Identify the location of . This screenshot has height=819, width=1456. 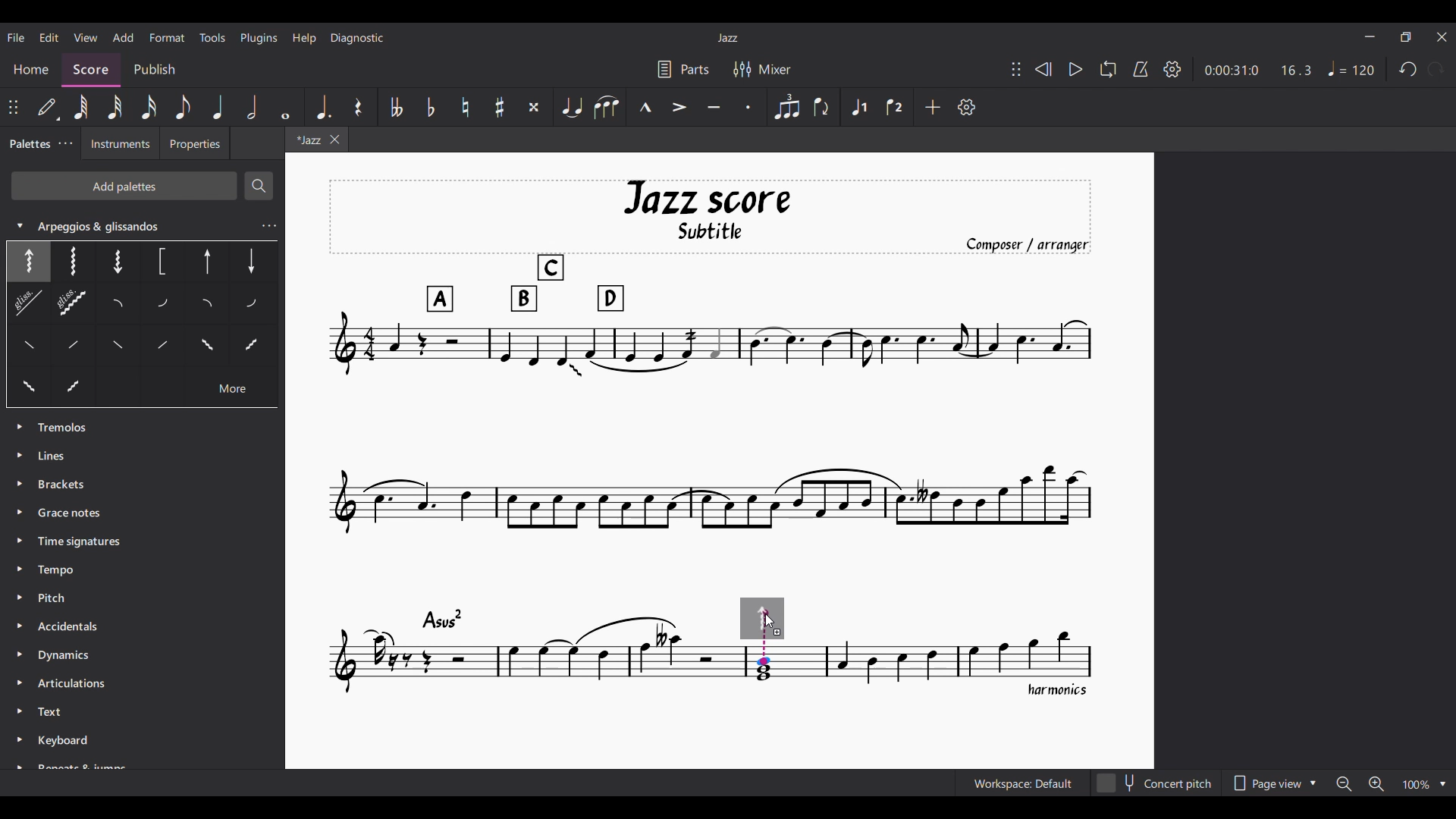
(118, 306).